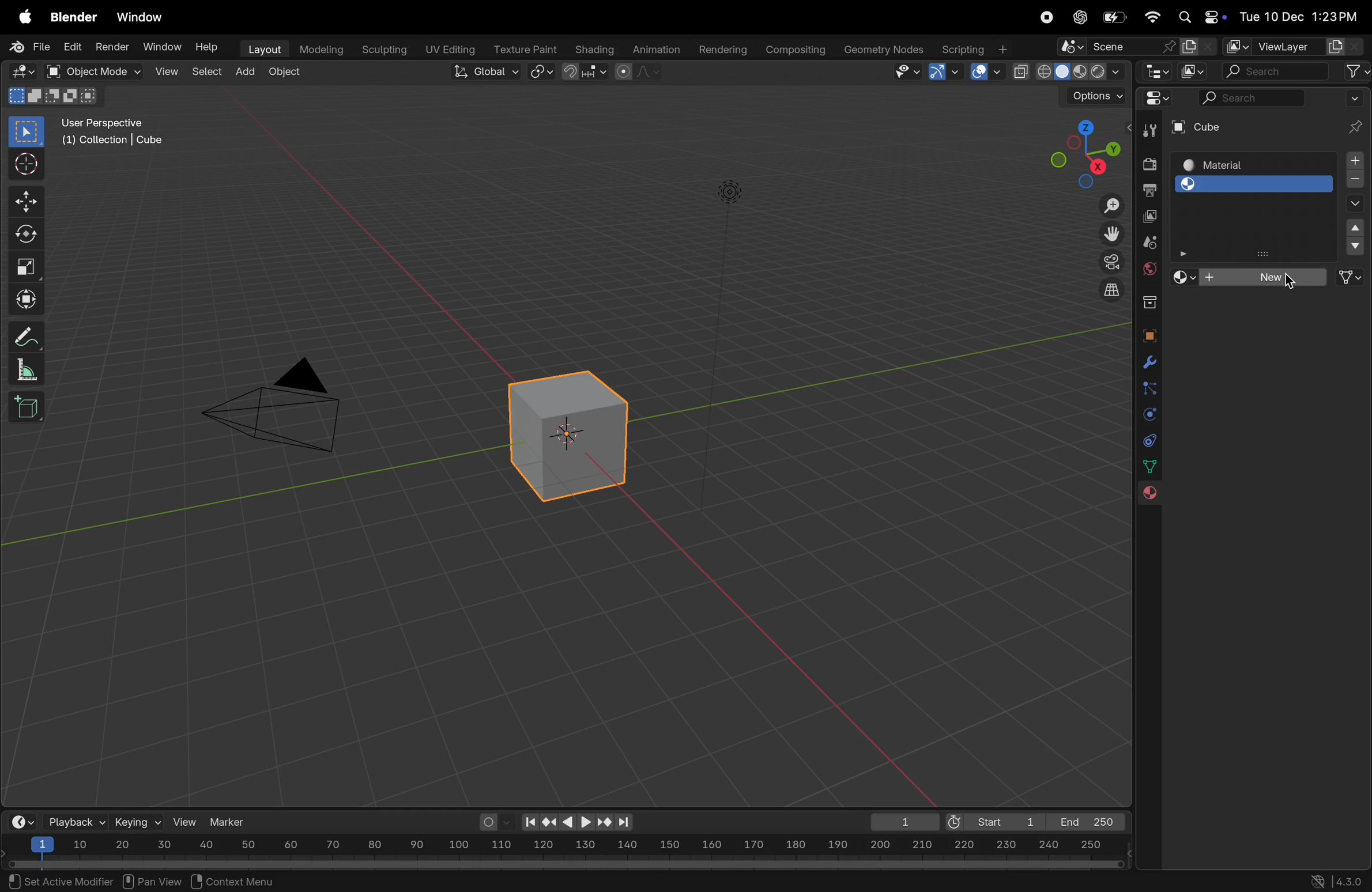 The image size is (1372, 892). I want to click on pin, so click(1352, 114).